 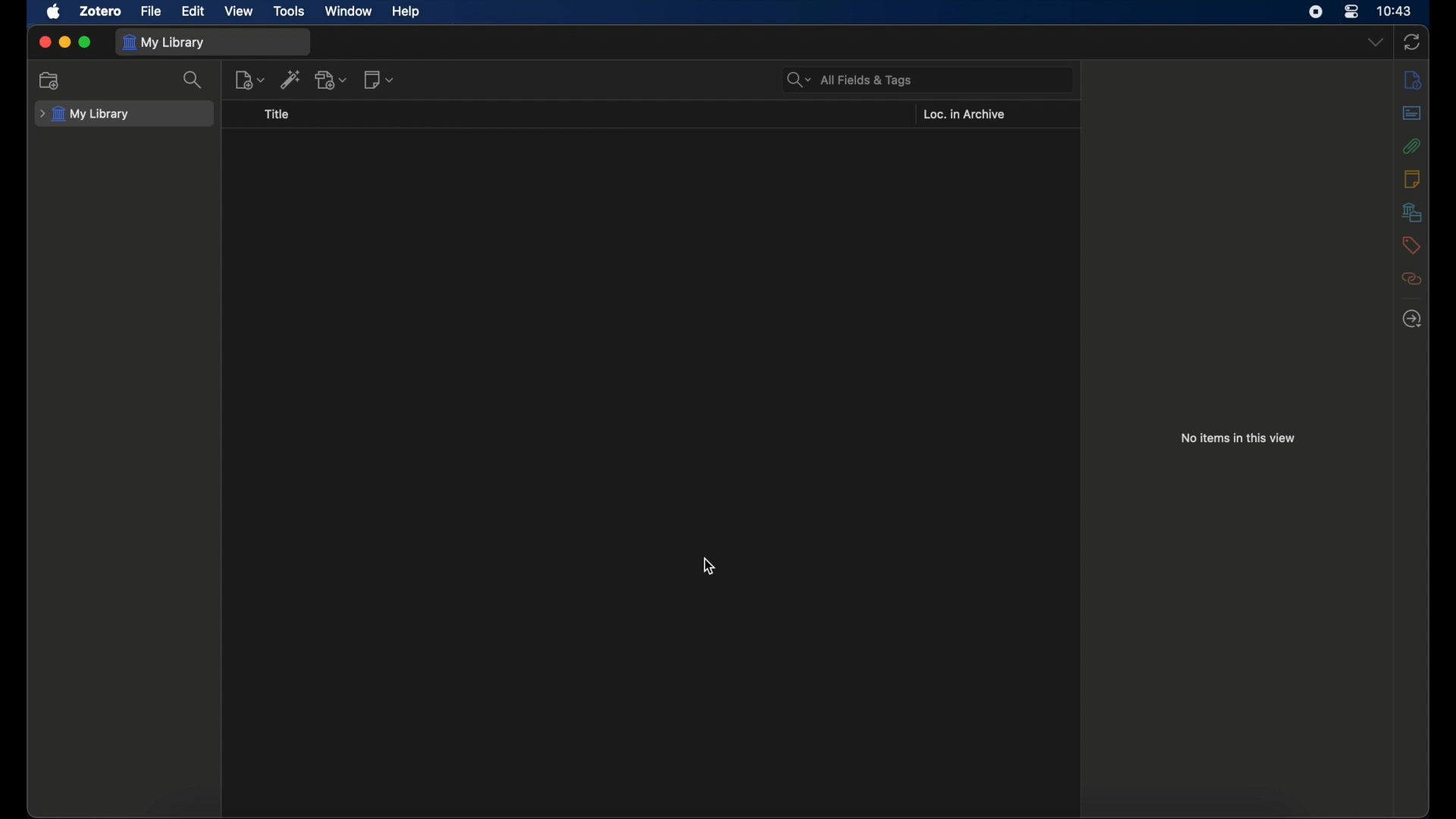 I want to click on help, so click(x=406, y=11).